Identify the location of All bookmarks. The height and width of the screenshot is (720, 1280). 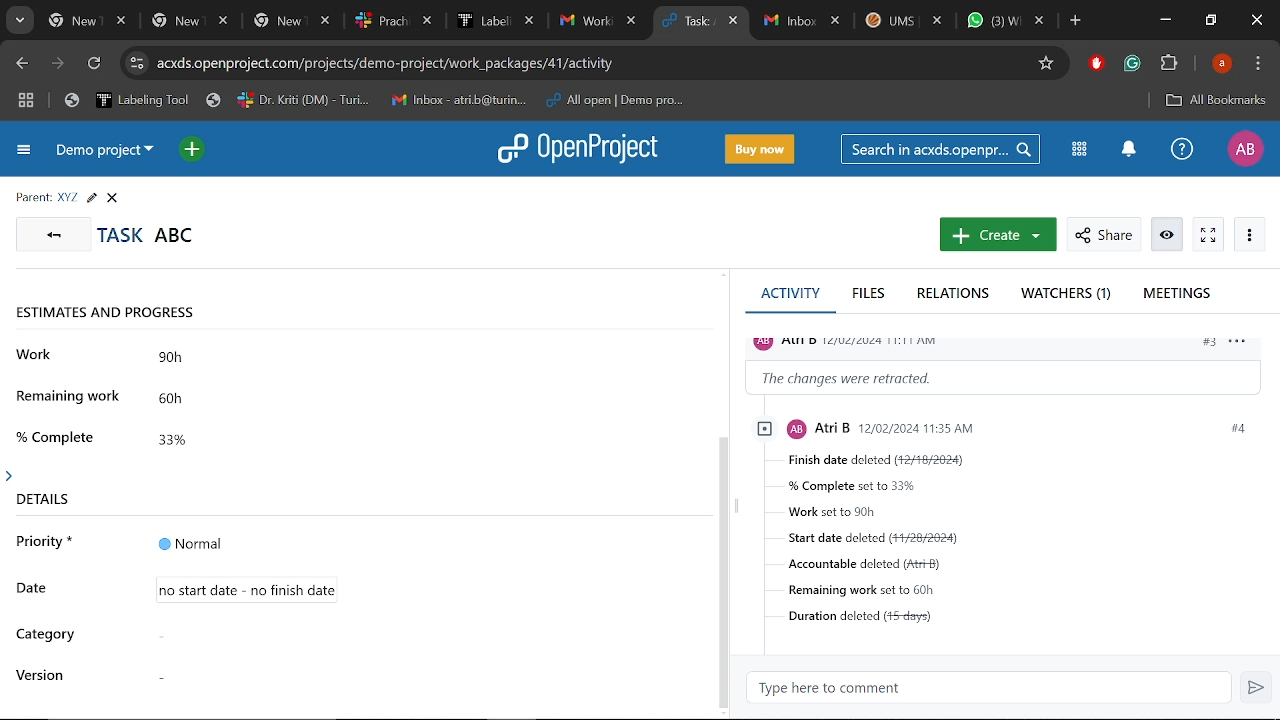
(1215, 101).